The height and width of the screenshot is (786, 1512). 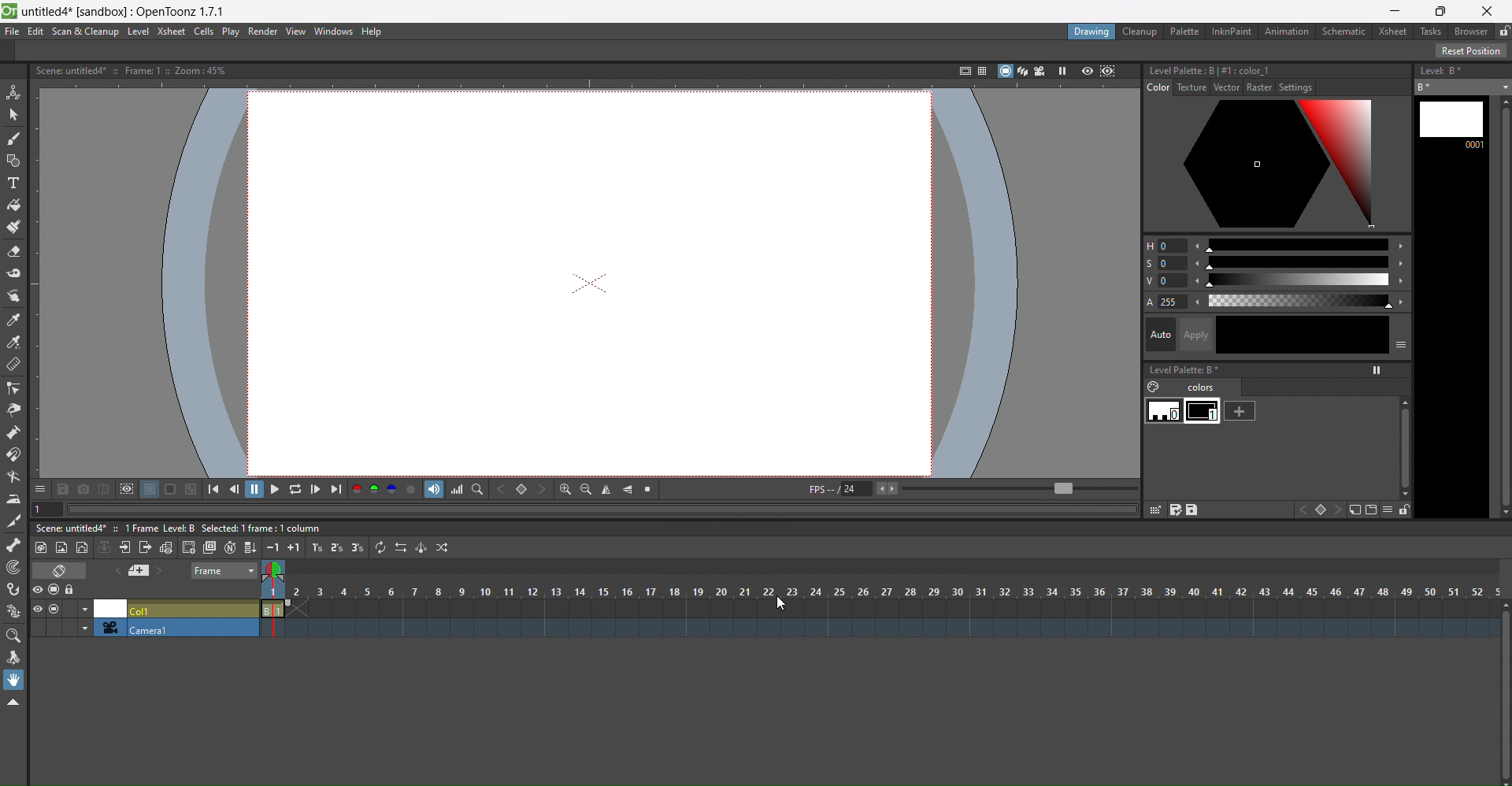 What do you see at coordinates (40, 488) in the screenshot?
I see `options` at bounding box center [40, 488].